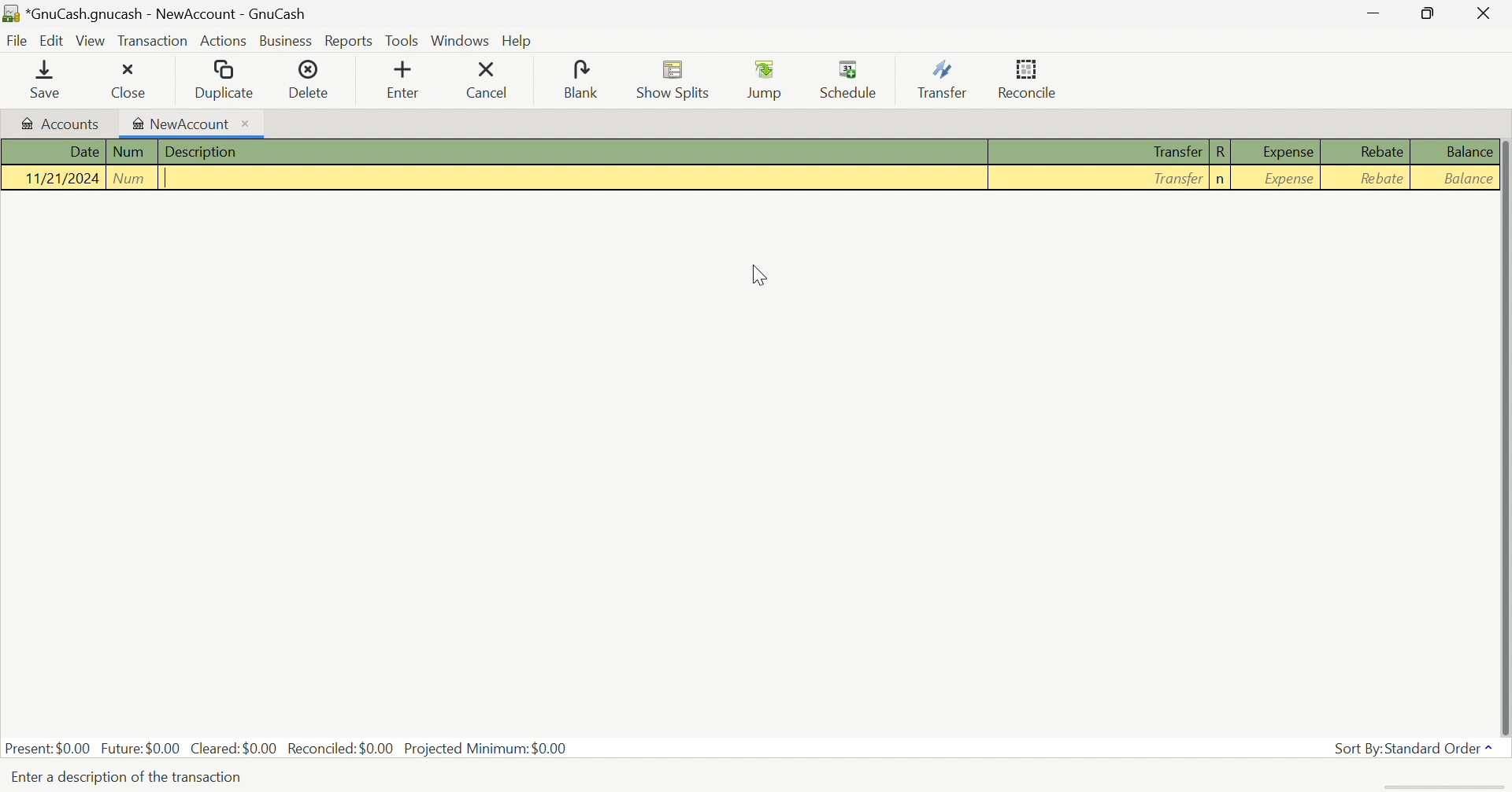  Describe the element at coordinates (517, 40) in the screenshot. I see `Help` at that location.